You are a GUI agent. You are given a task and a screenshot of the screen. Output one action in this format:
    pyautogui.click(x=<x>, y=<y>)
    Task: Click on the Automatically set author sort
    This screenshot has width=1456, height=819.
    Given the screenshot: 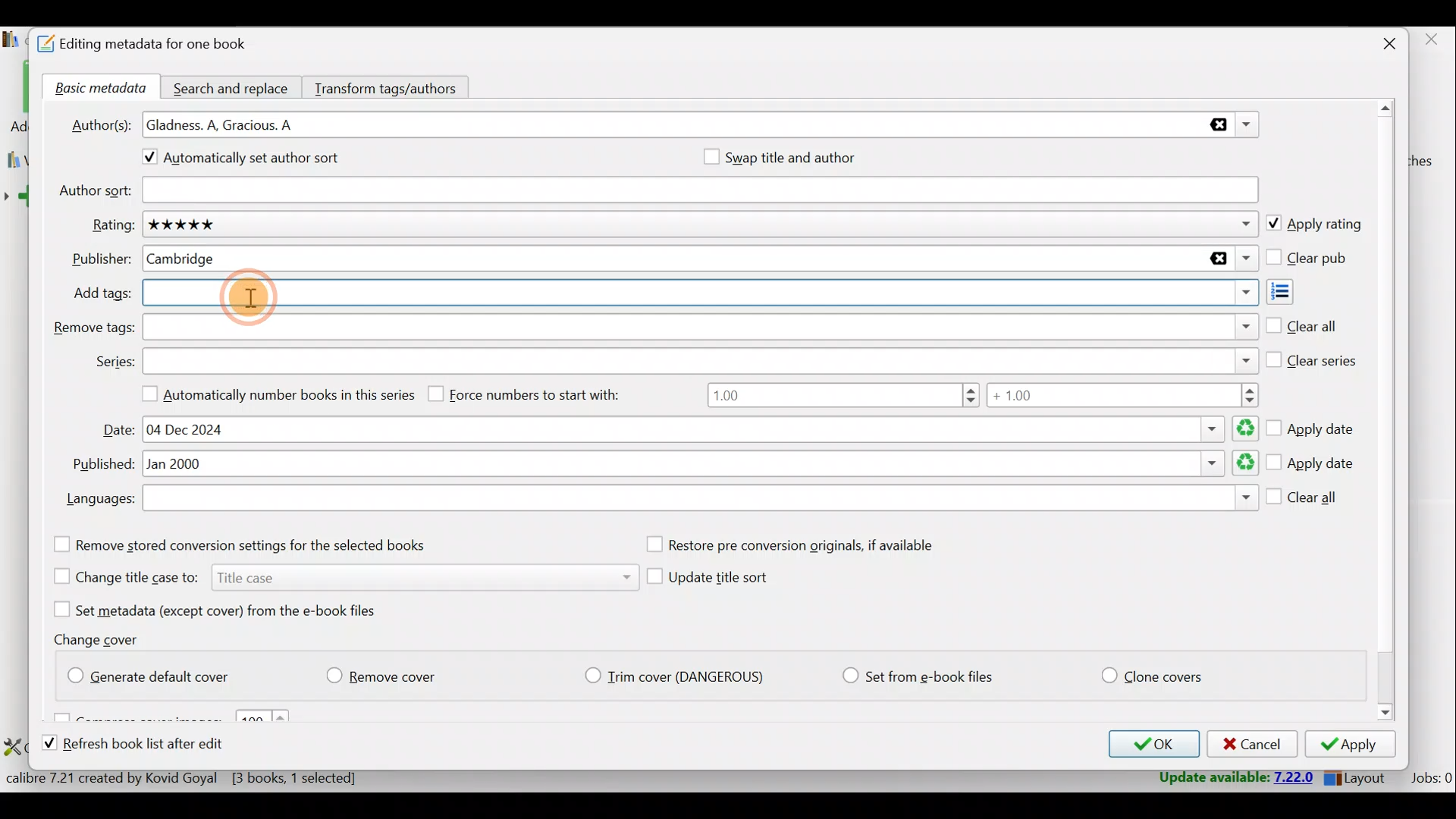 What is the action you would take?
    pyautogui.click(x=253, y=160)
    